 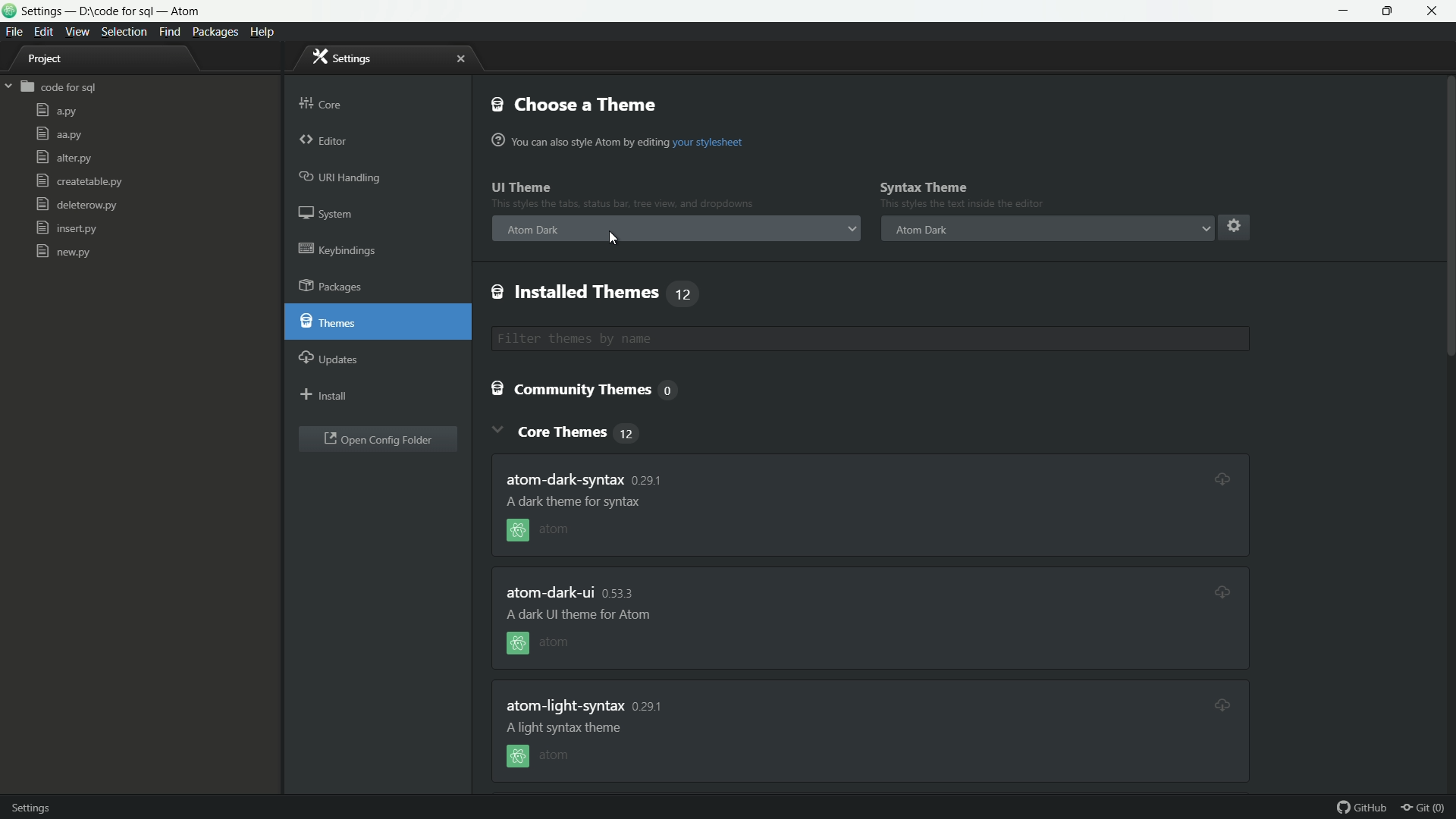 I want to click on atom, so click(x=544, y=756).